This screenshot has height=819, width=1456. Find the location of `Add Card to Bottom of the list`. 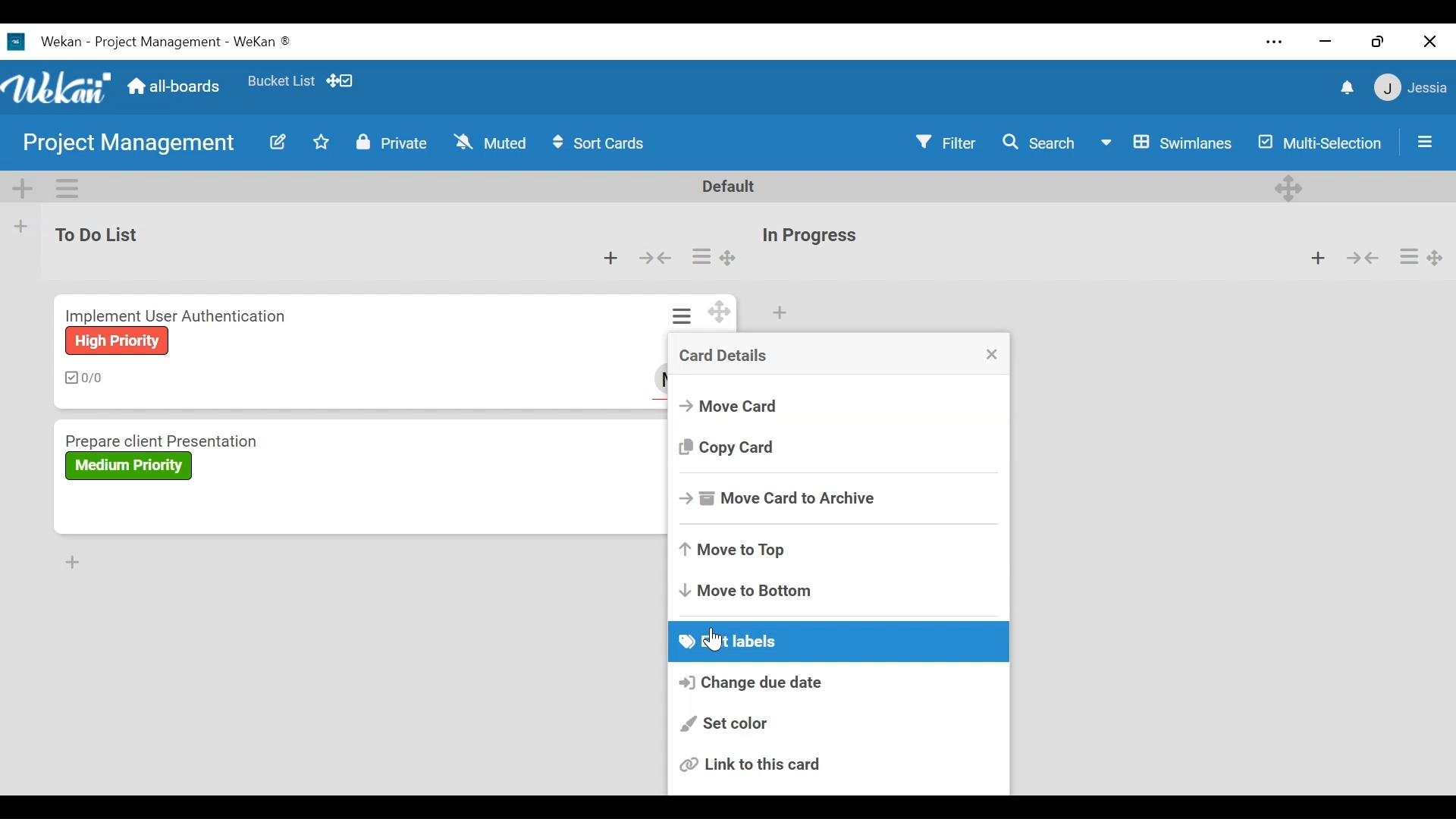

Add Card to Bottom of the list is located at coordinates (74, 562).